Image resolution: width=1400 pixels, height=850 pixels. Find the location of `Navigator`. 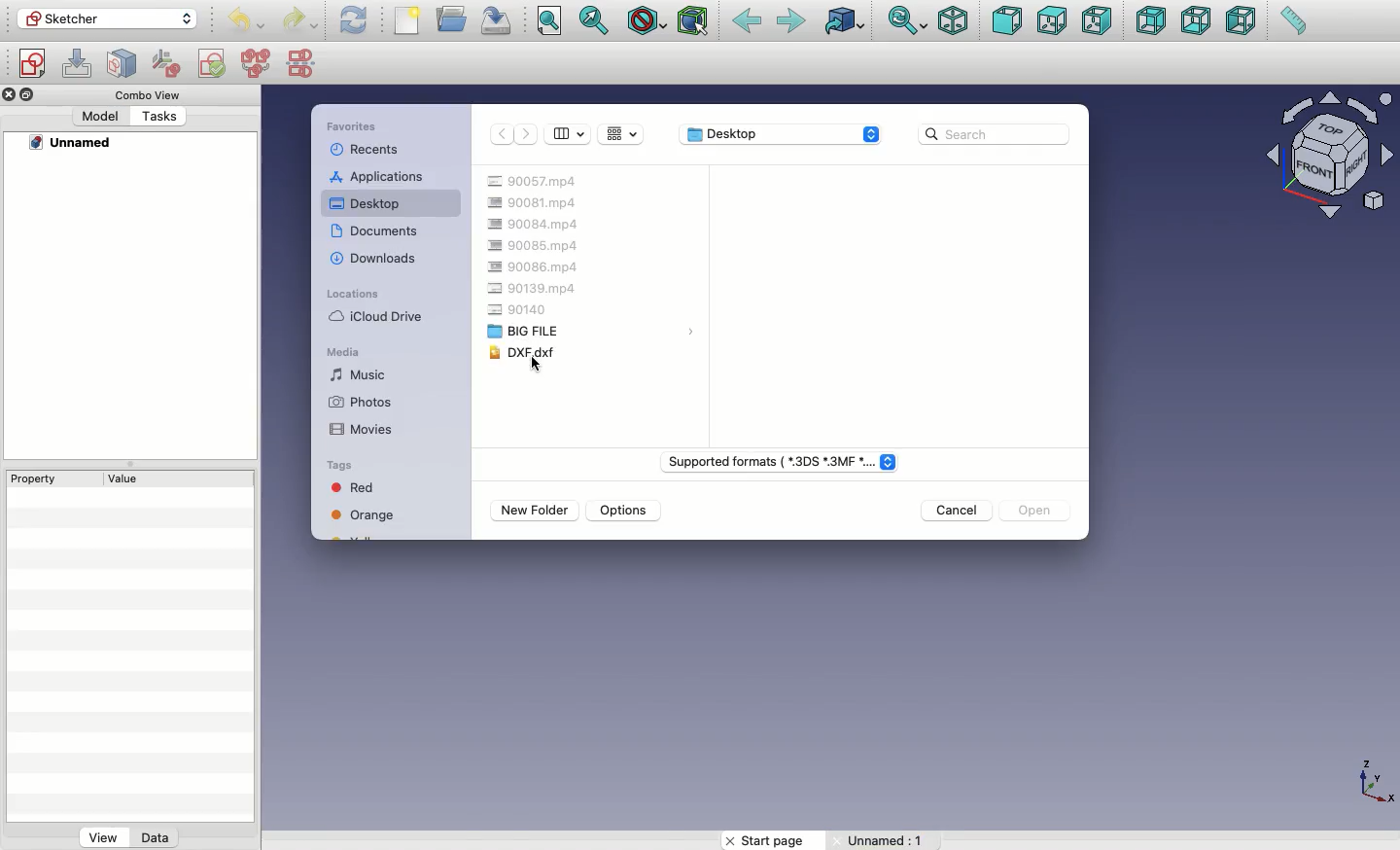

Navigator is located at coordinates (1335, 159).